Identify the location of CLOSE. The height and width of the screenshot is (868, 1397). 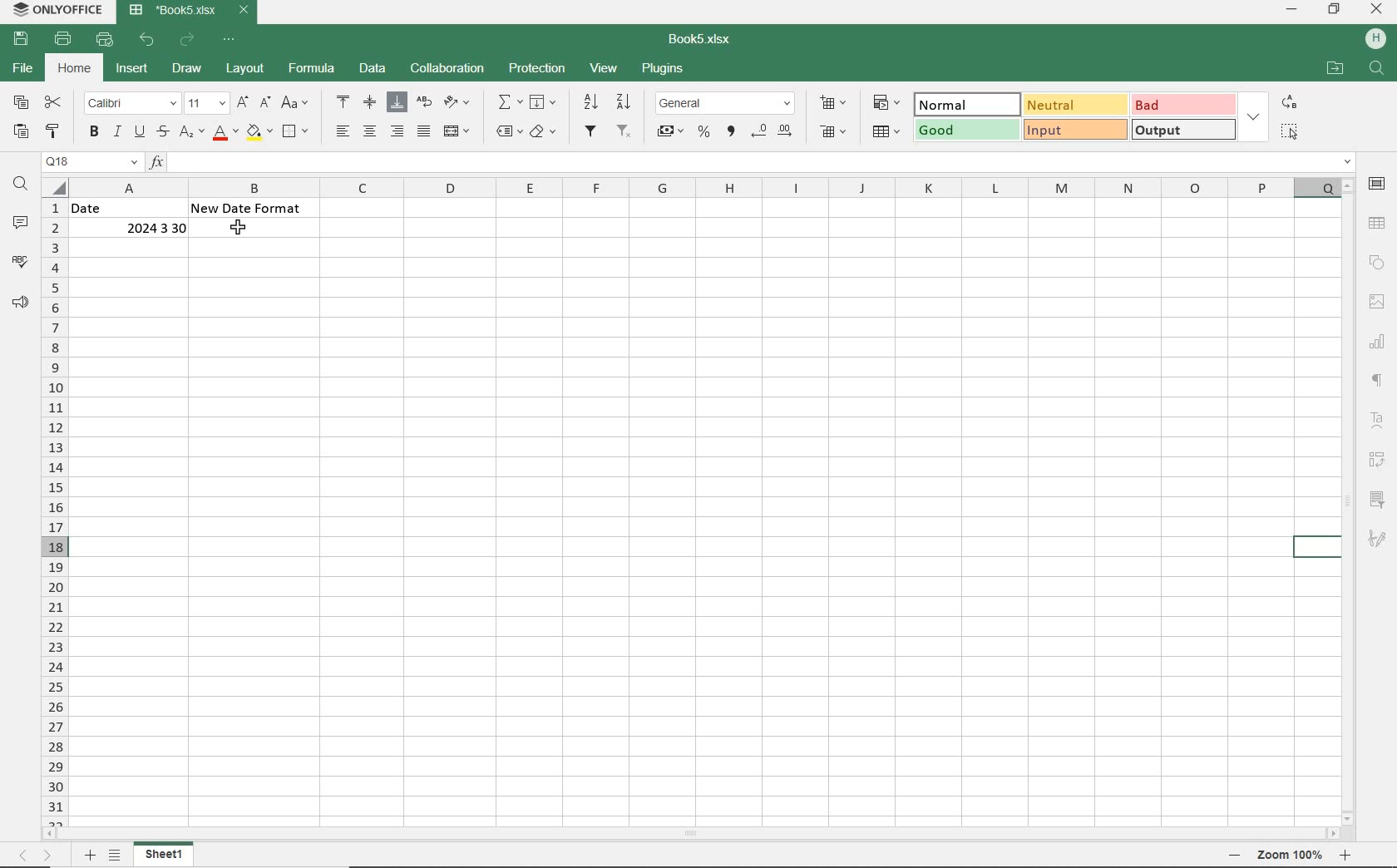
(1377, 8).